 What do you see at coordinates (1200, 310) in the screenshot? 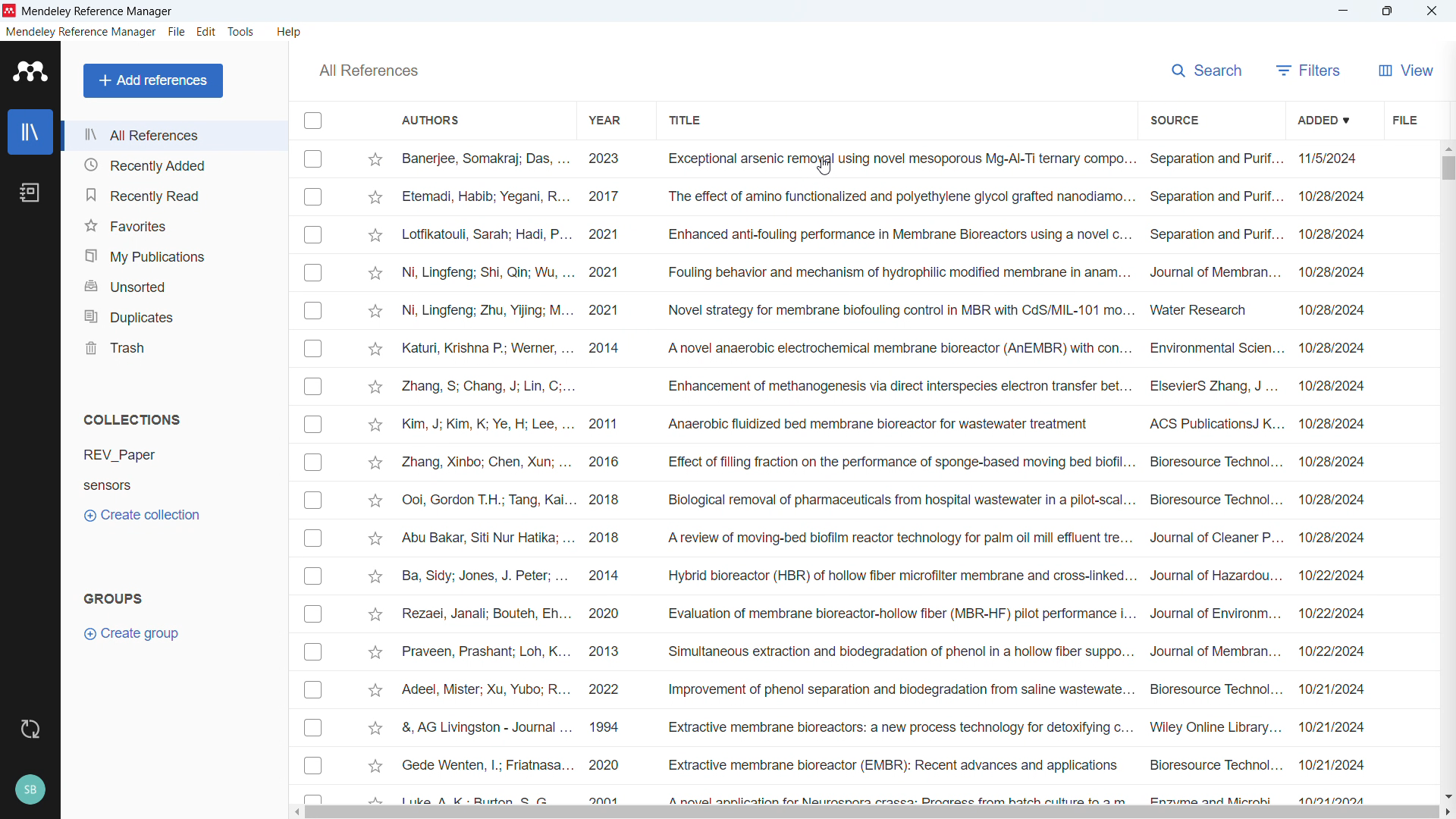
I see `water research` at bounding box center [1200, 310].